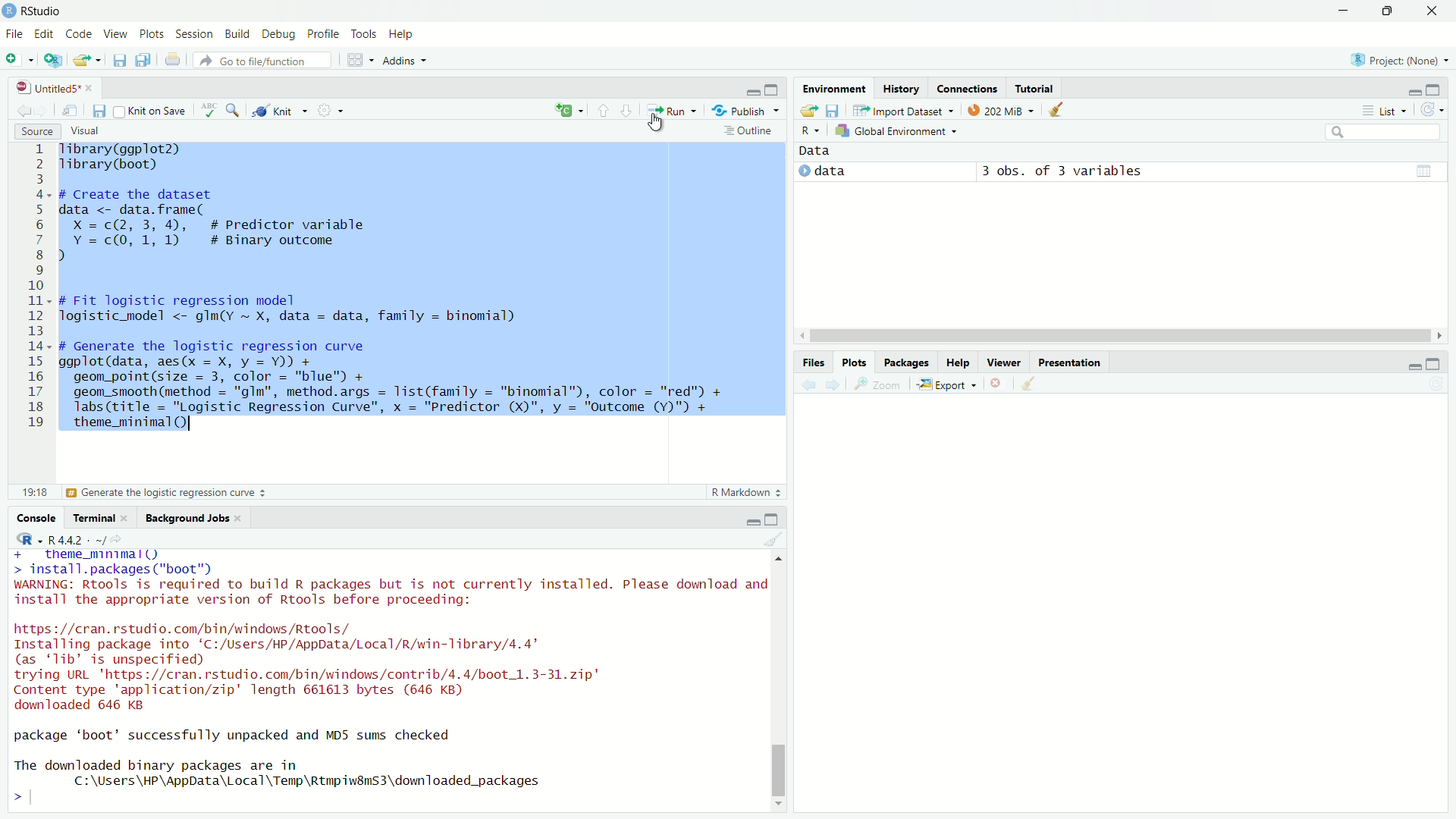 The width and height of the screenshot is (1456, 819). Describe the element at coordinates (808, 385) in the screenshot. I see `Previous plot` at that location.